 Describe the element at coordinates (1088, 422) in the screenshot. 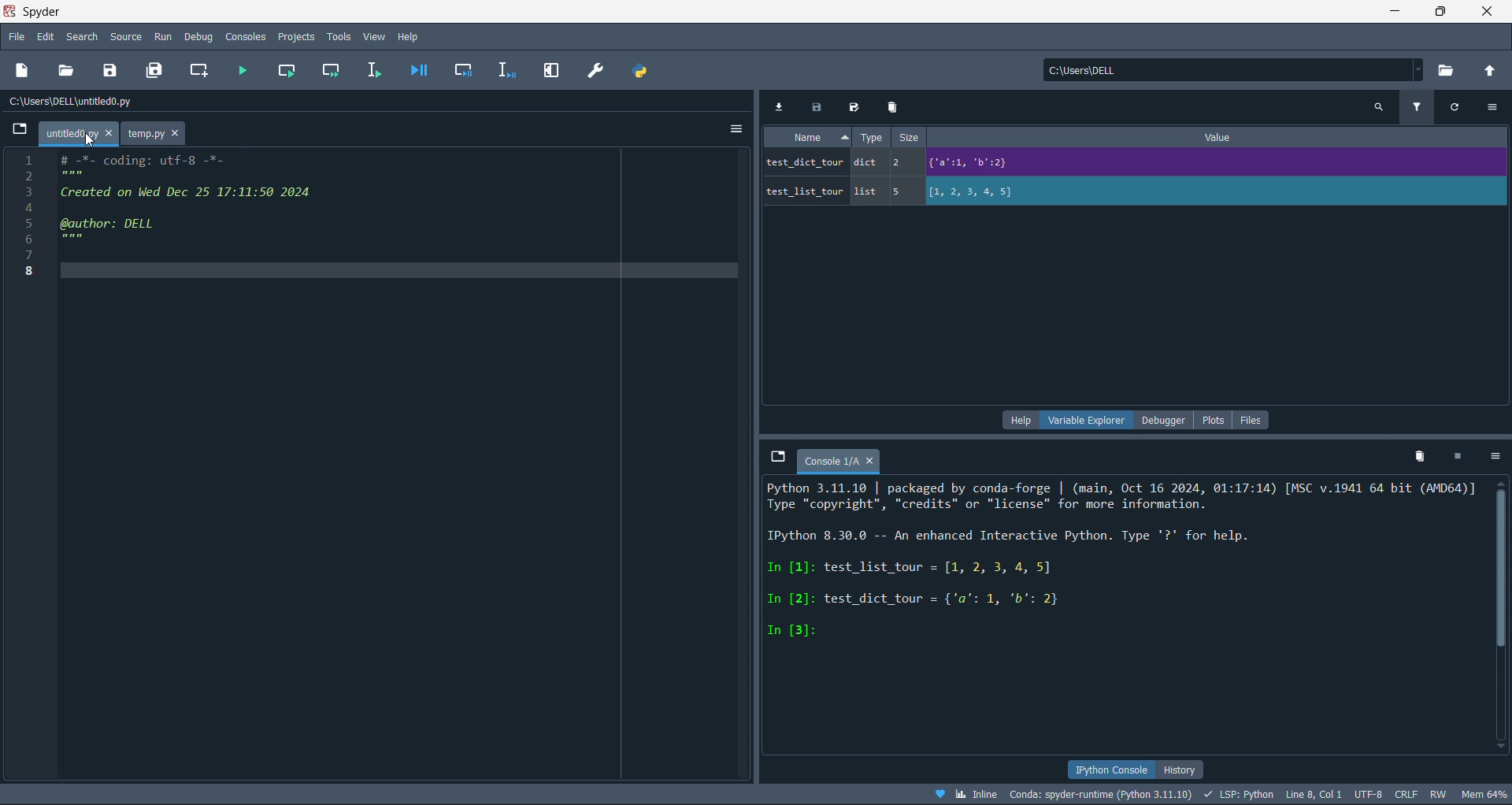

I see `variable explorer pane` at that location.